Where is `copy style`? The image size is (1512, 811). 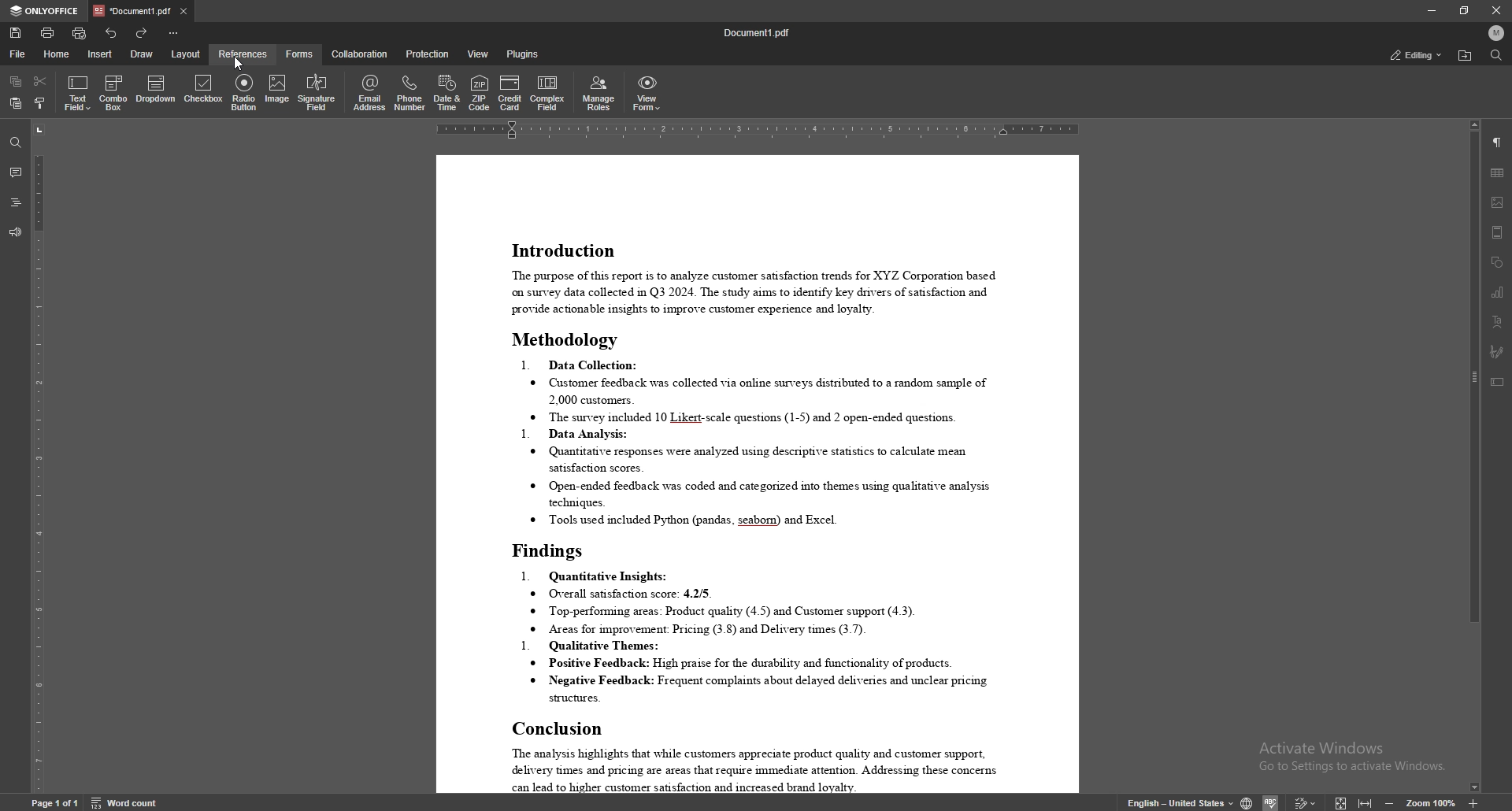 copy style is located at coordinates (39, 105).